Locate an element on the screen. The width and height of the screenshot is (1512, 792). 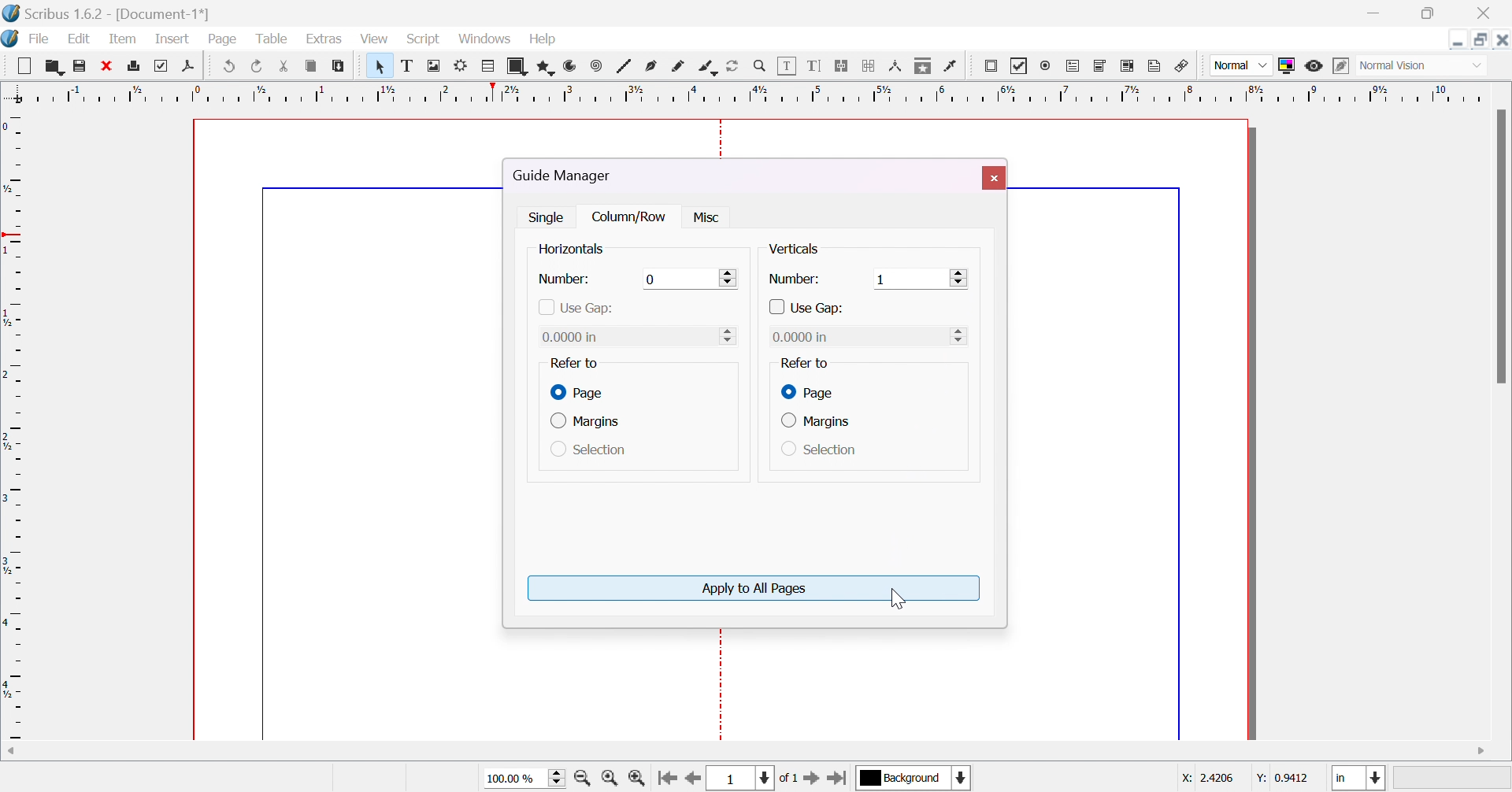
1 is located at coordinates (882, 279).